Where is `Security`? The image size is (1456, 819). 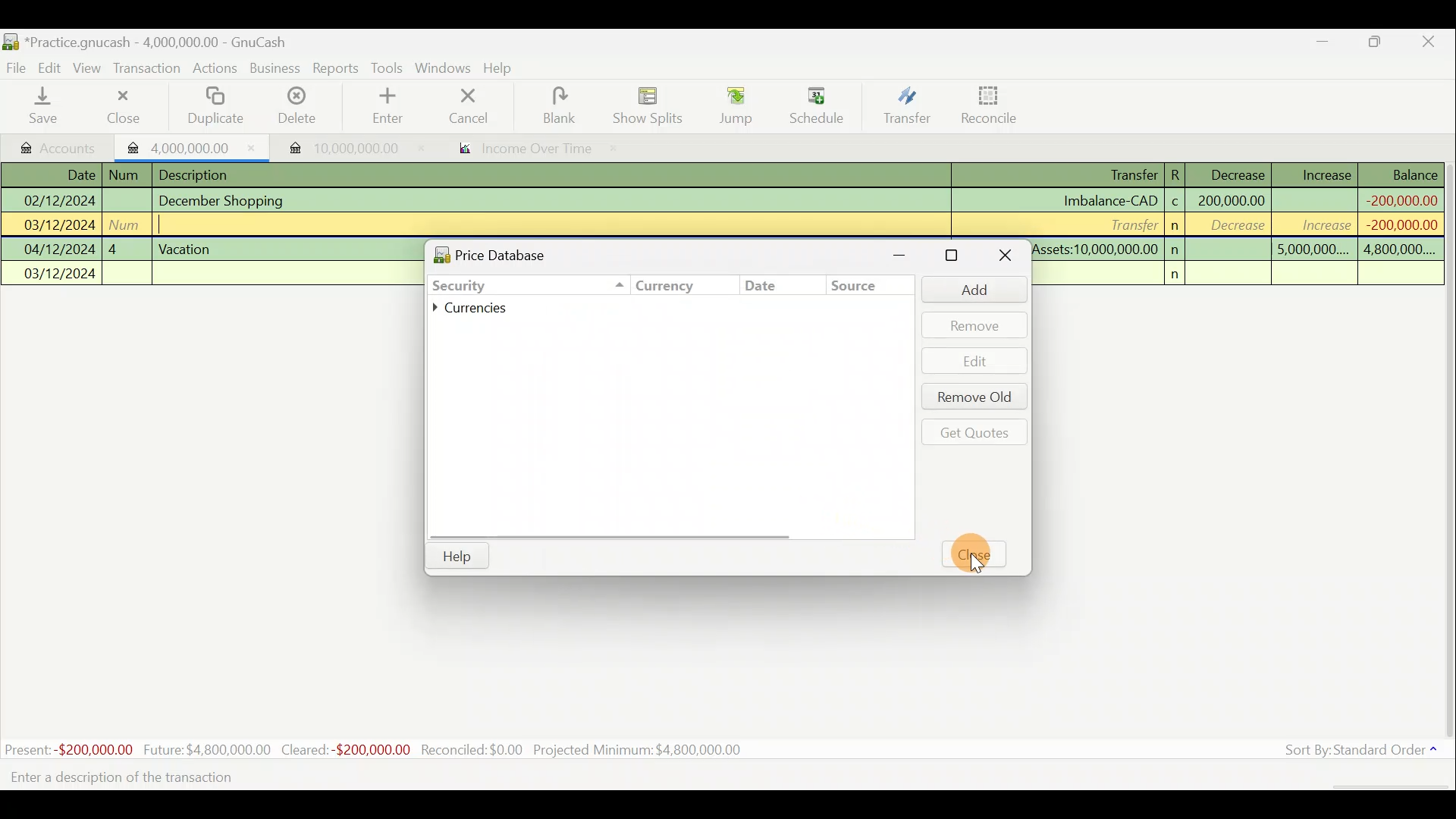 Security is located at coordinates (490, 284).